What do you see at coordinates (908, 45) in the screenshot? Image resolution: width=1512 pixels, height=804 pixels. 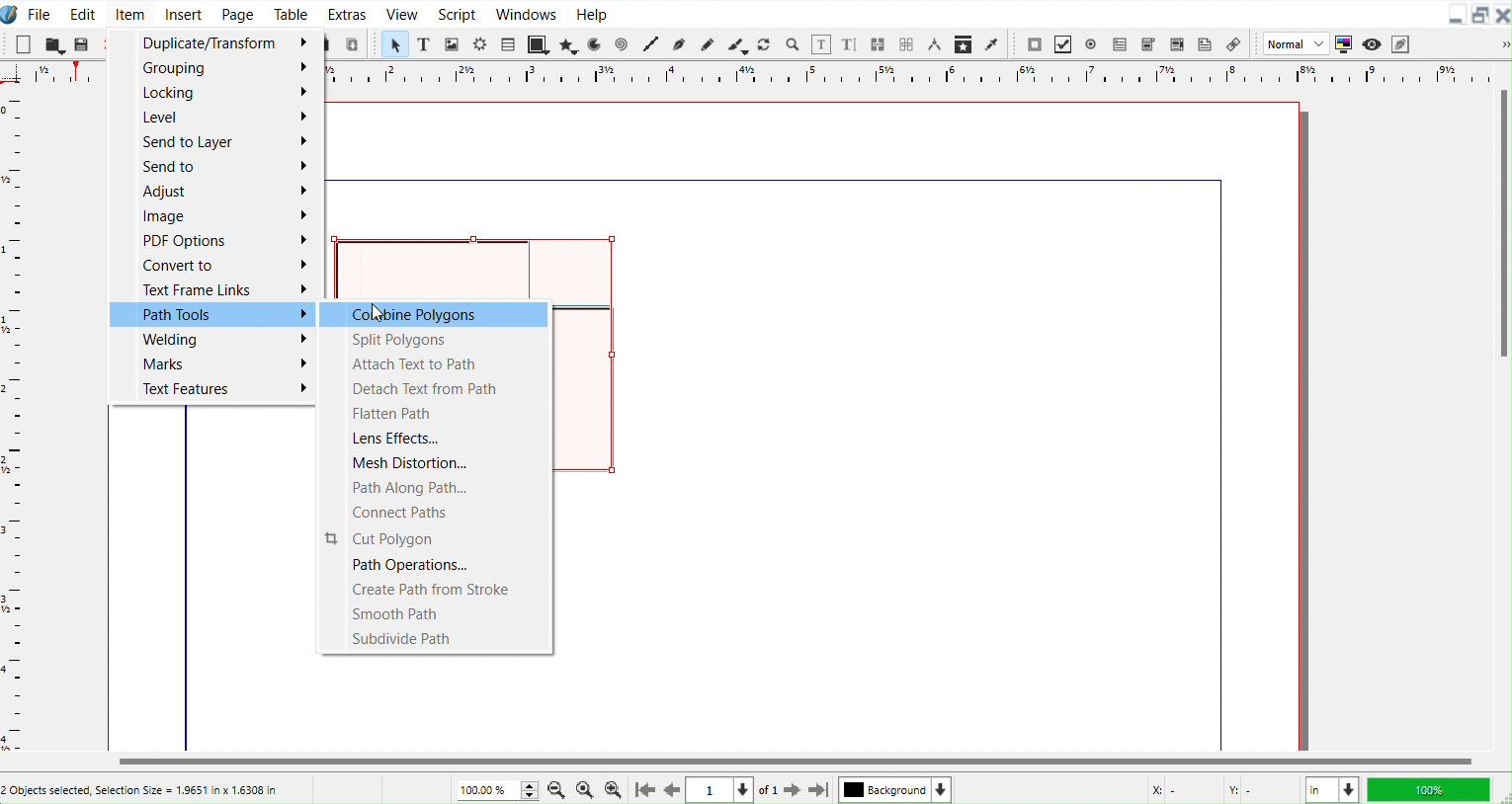 I see `Unlink frame work` at bounding box center [908, 45].